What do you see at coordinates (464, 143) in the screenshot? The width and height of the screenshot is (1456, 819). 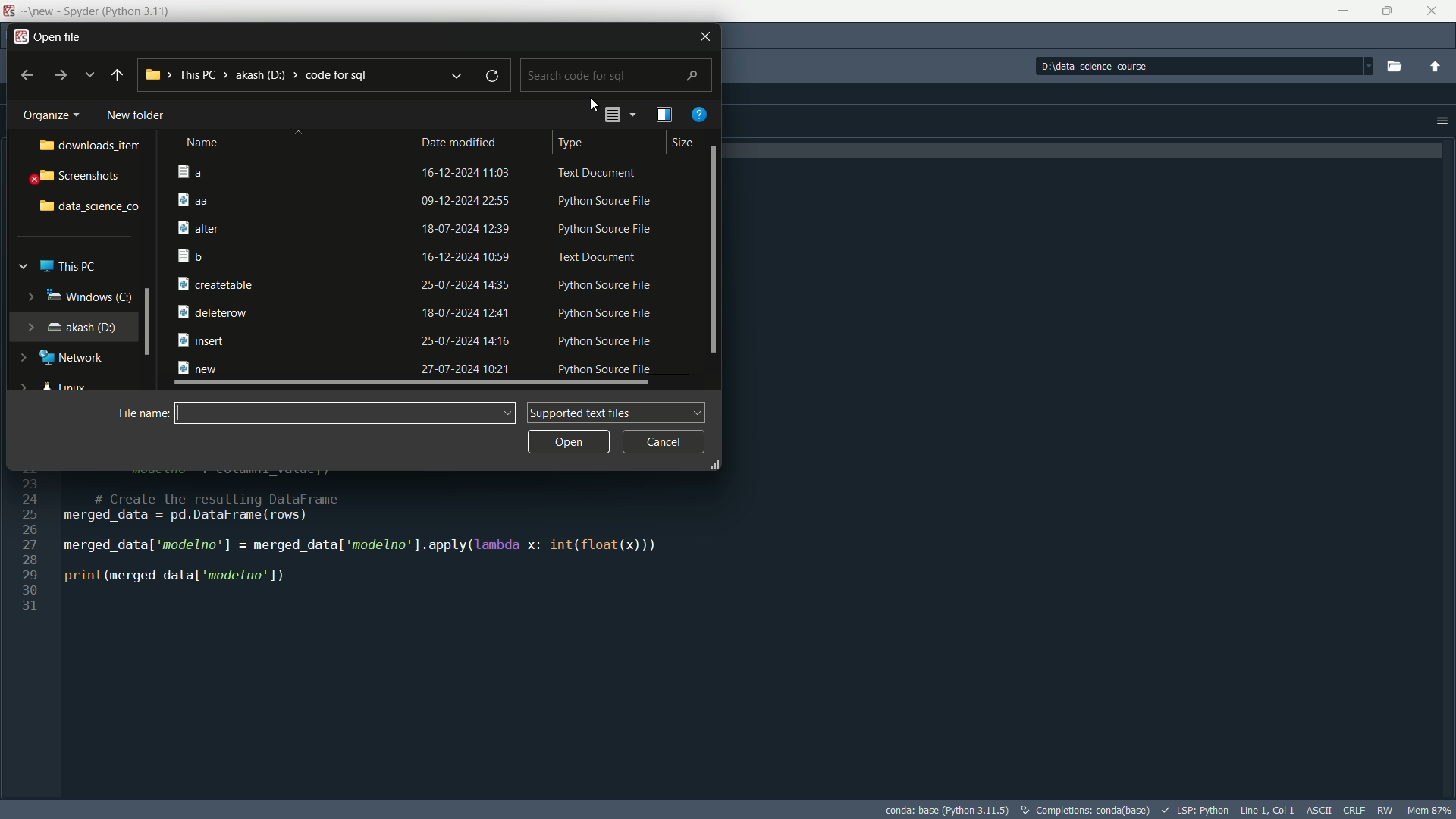 I see `Date modified` at bounding box center [464, 143].